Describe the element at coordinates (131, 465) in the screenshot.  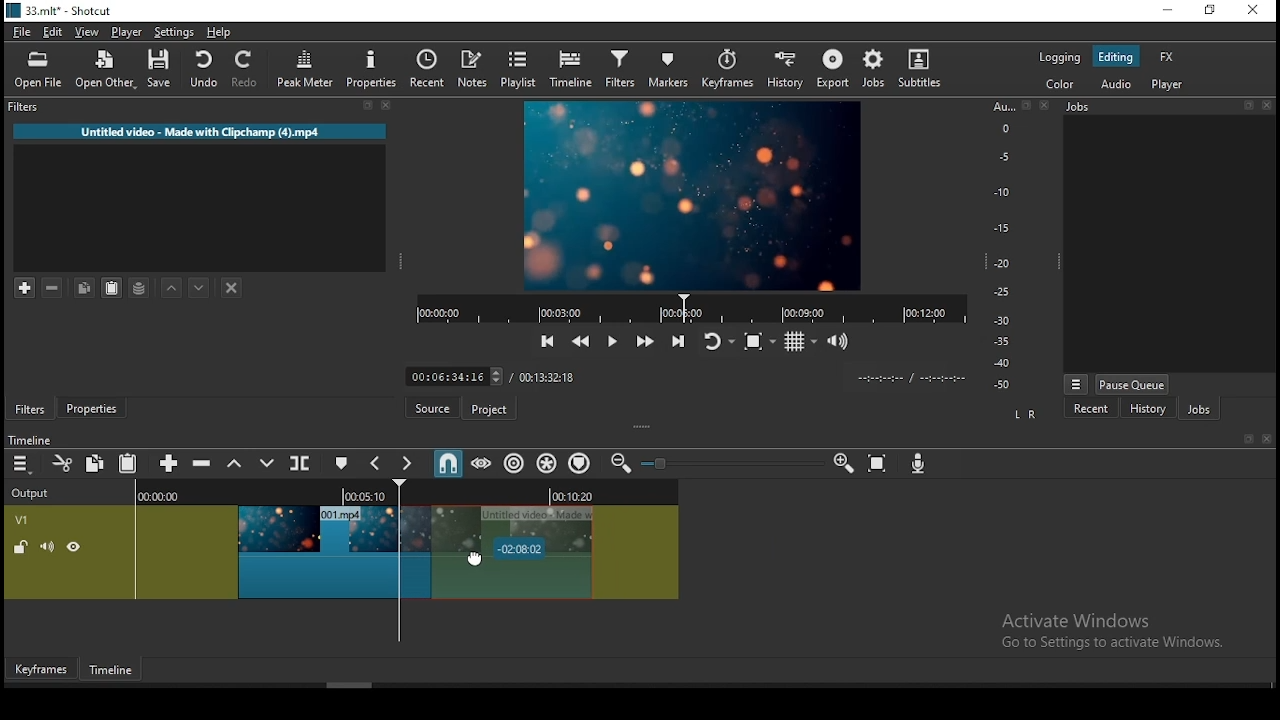
I see `paste` at that location.